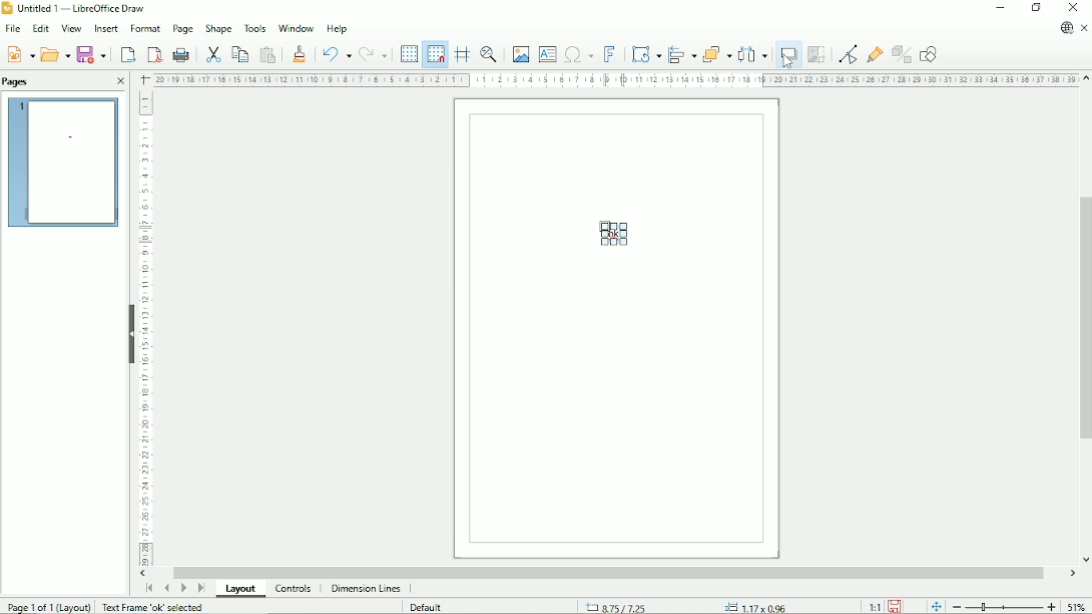 Image resolution: width=1092 pixels, height=614 pixels. Describe the element at coordinates (181, 29) in the screenshot. I see `Page` at that location.